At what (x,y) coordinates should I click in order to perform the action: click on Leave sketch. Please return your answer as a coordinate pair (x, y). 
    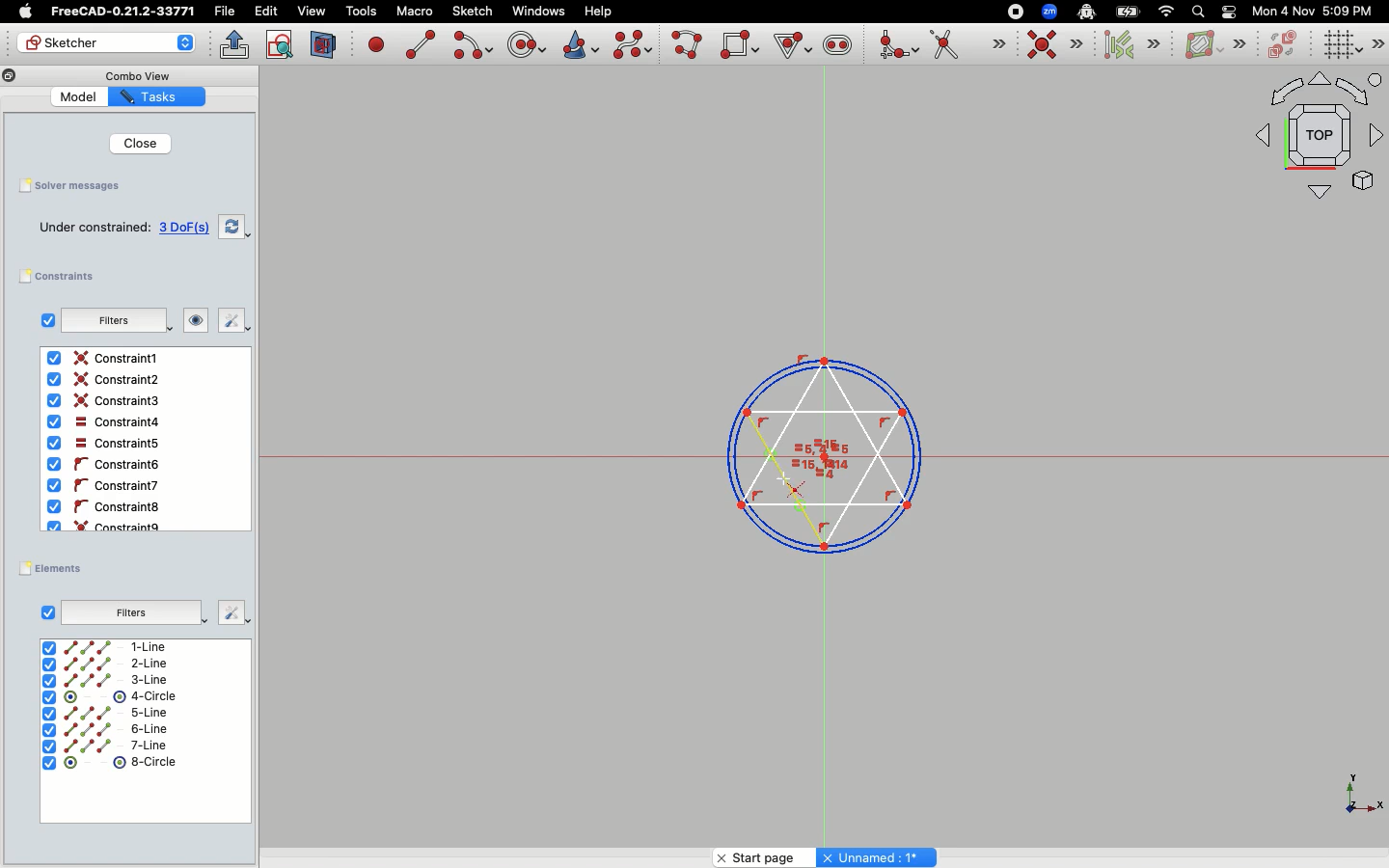
    Looking at the image, I should click on (235, 44).